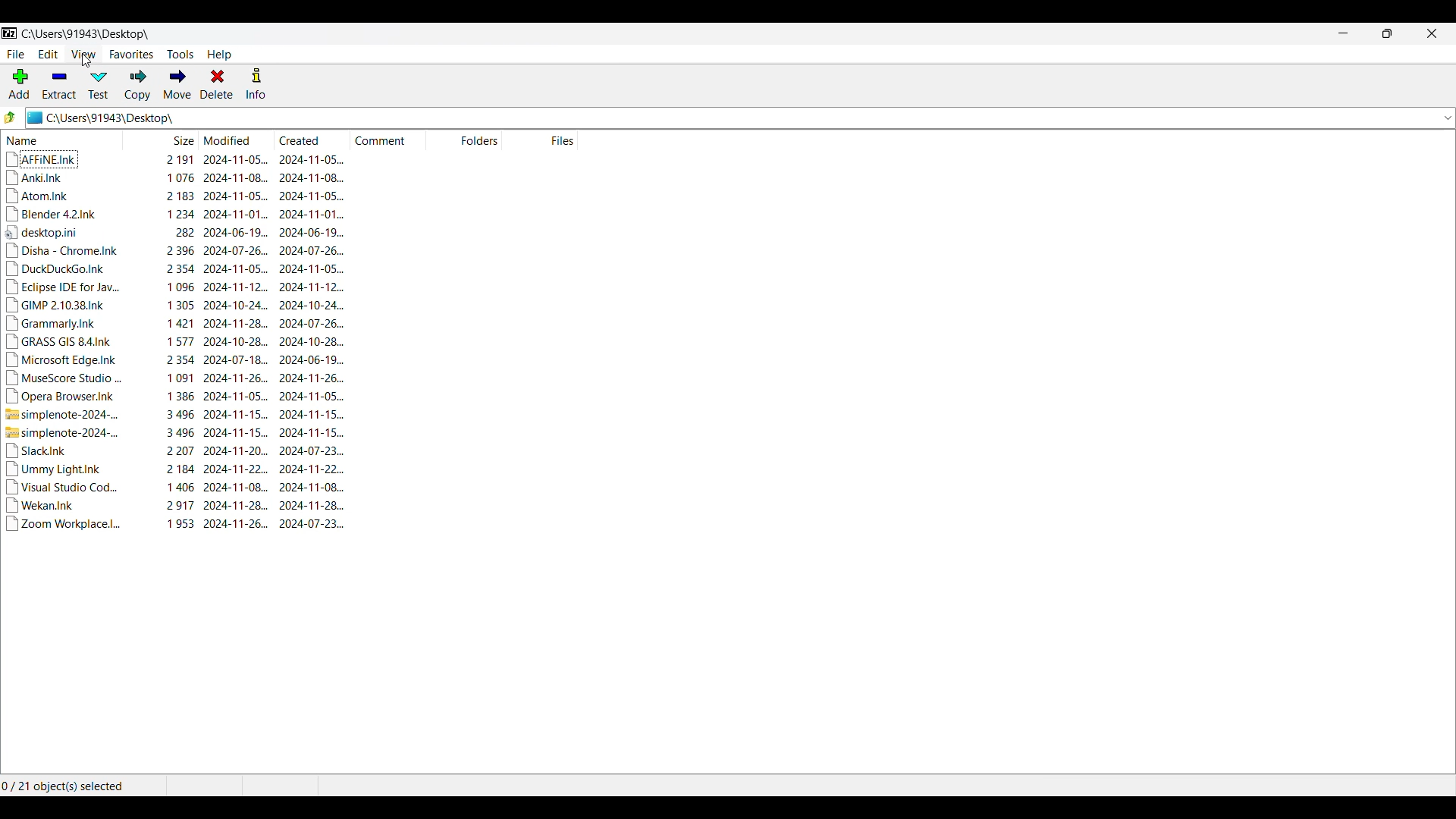 The image size is (1456, 819). Describe the element at coordinates (179, 450) in the screenshot. I see `Slack.Ink 2207 2024-11-20... 2024-07-23.` at that location.